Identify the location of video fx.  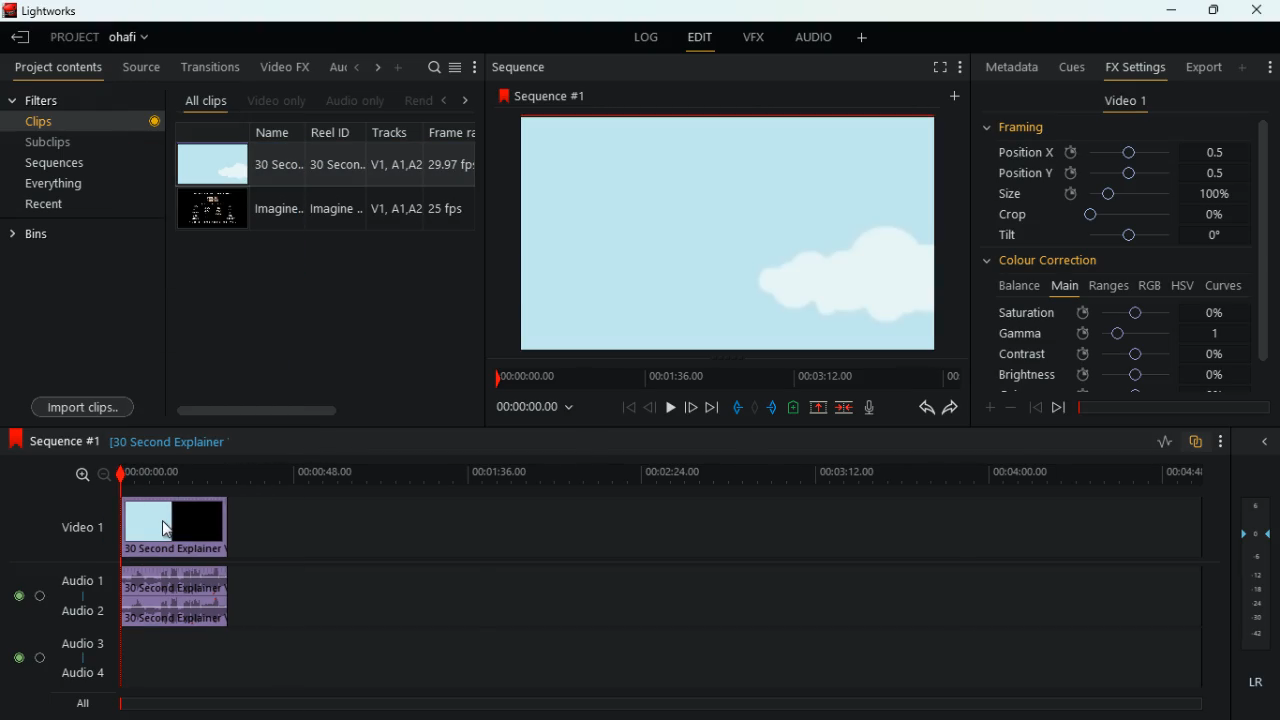
(283, 66).